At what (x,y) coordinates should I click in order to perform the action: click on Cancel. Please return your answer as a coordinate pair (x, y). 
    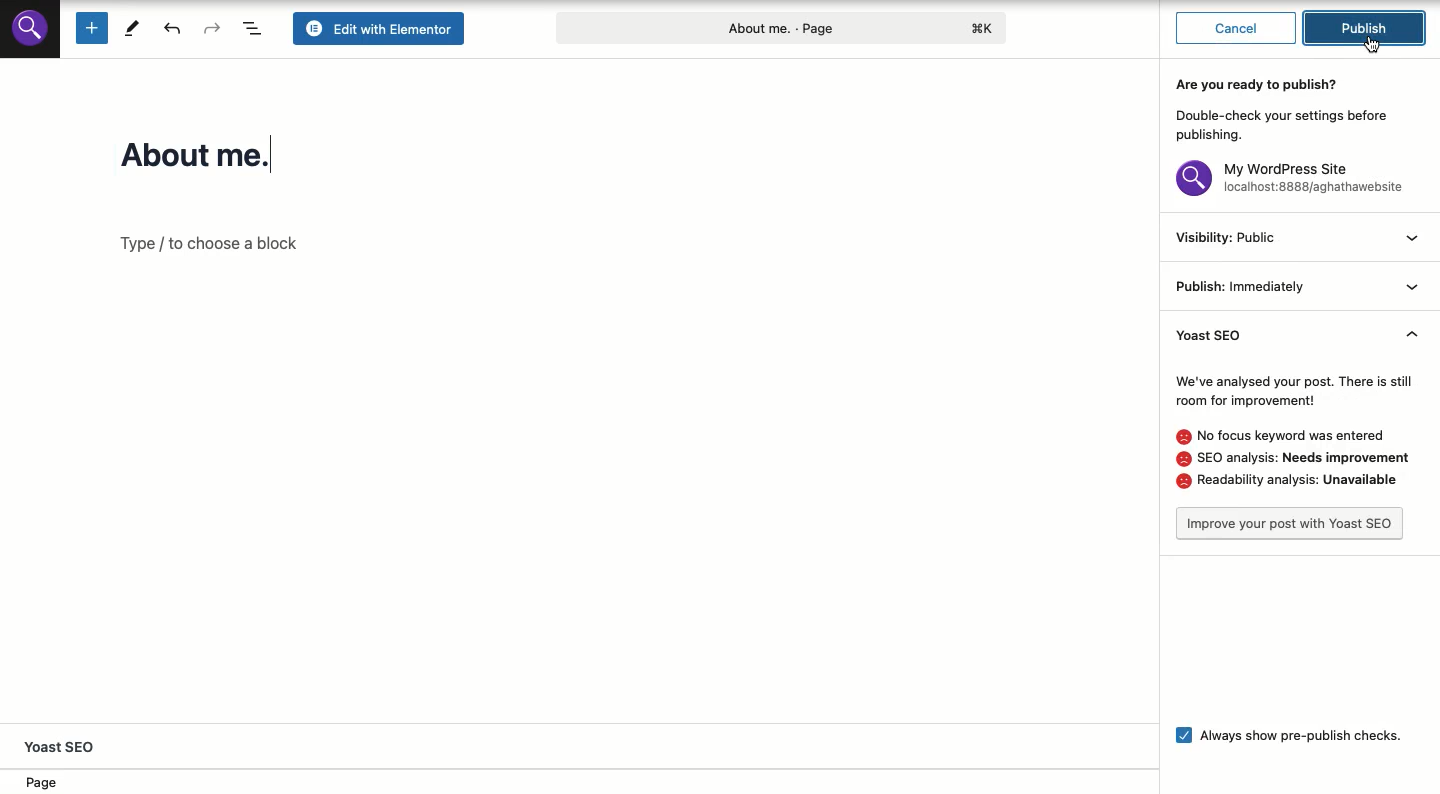
    Looking at the image, I should click on (1236, 26).